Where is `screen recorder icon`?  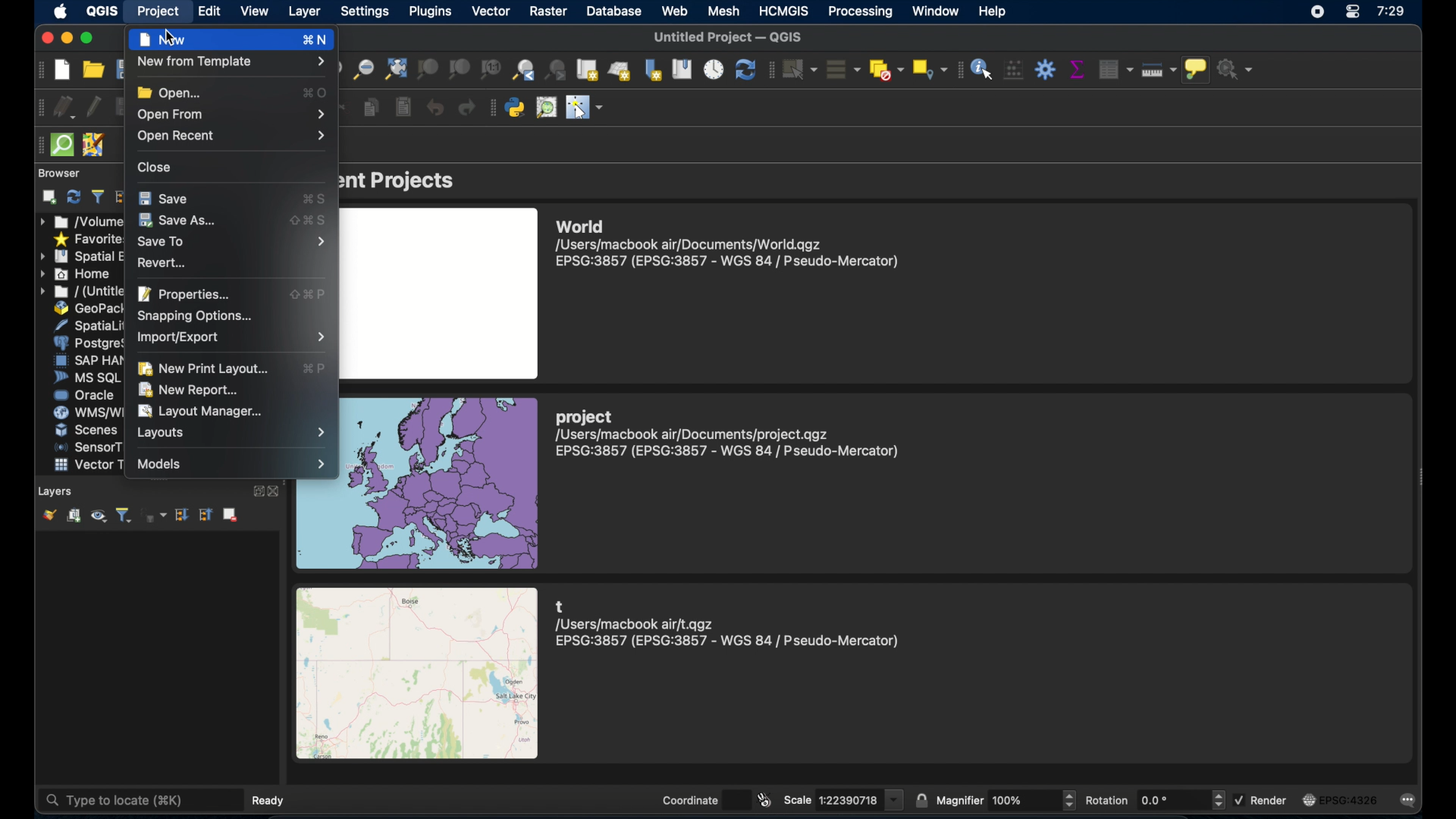 screen recorder icon is located at coordinates (1317, 11).